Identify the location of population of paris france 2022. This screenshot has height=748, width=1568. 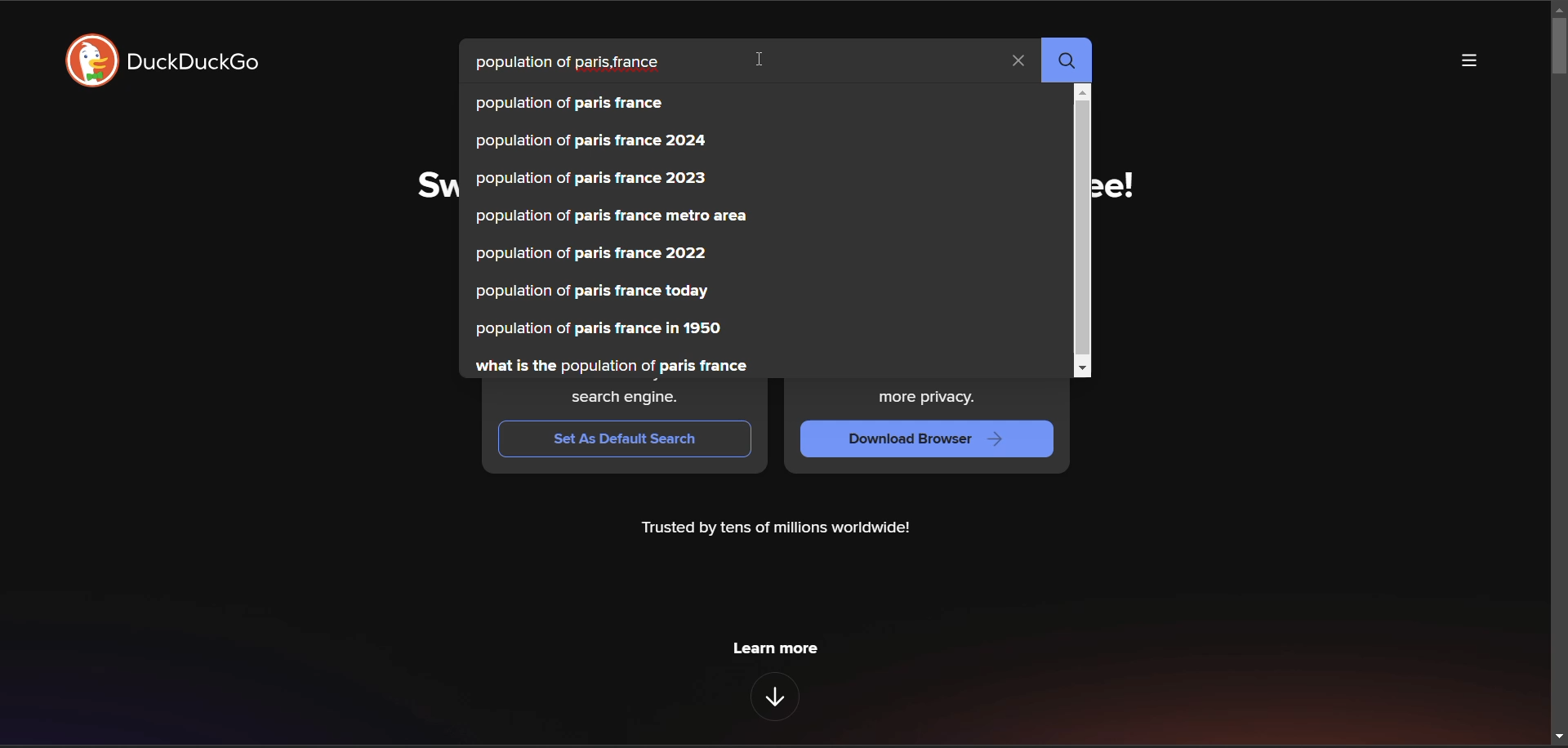
(594, 256).